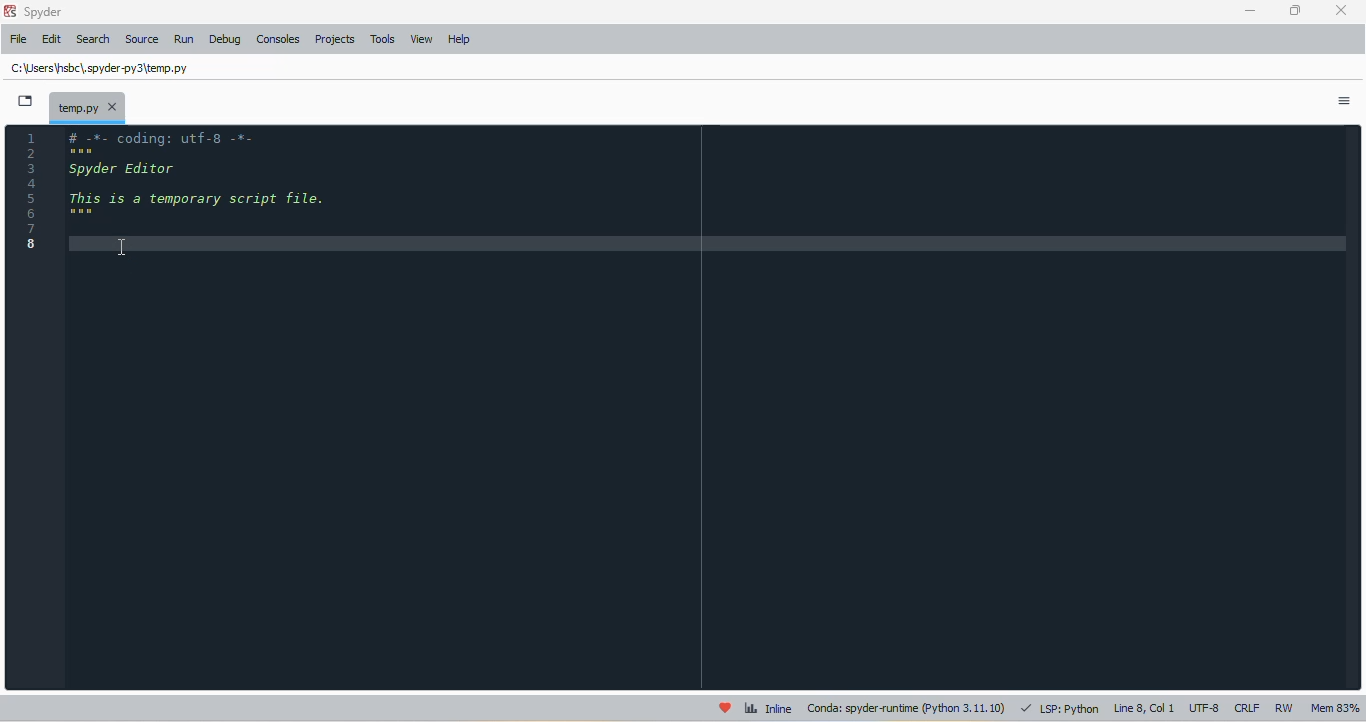 The height and width of the screenshot is (722, 1366). Describe the element at coordinates (708, 407) in the screenshot. I see `editor` at that location.